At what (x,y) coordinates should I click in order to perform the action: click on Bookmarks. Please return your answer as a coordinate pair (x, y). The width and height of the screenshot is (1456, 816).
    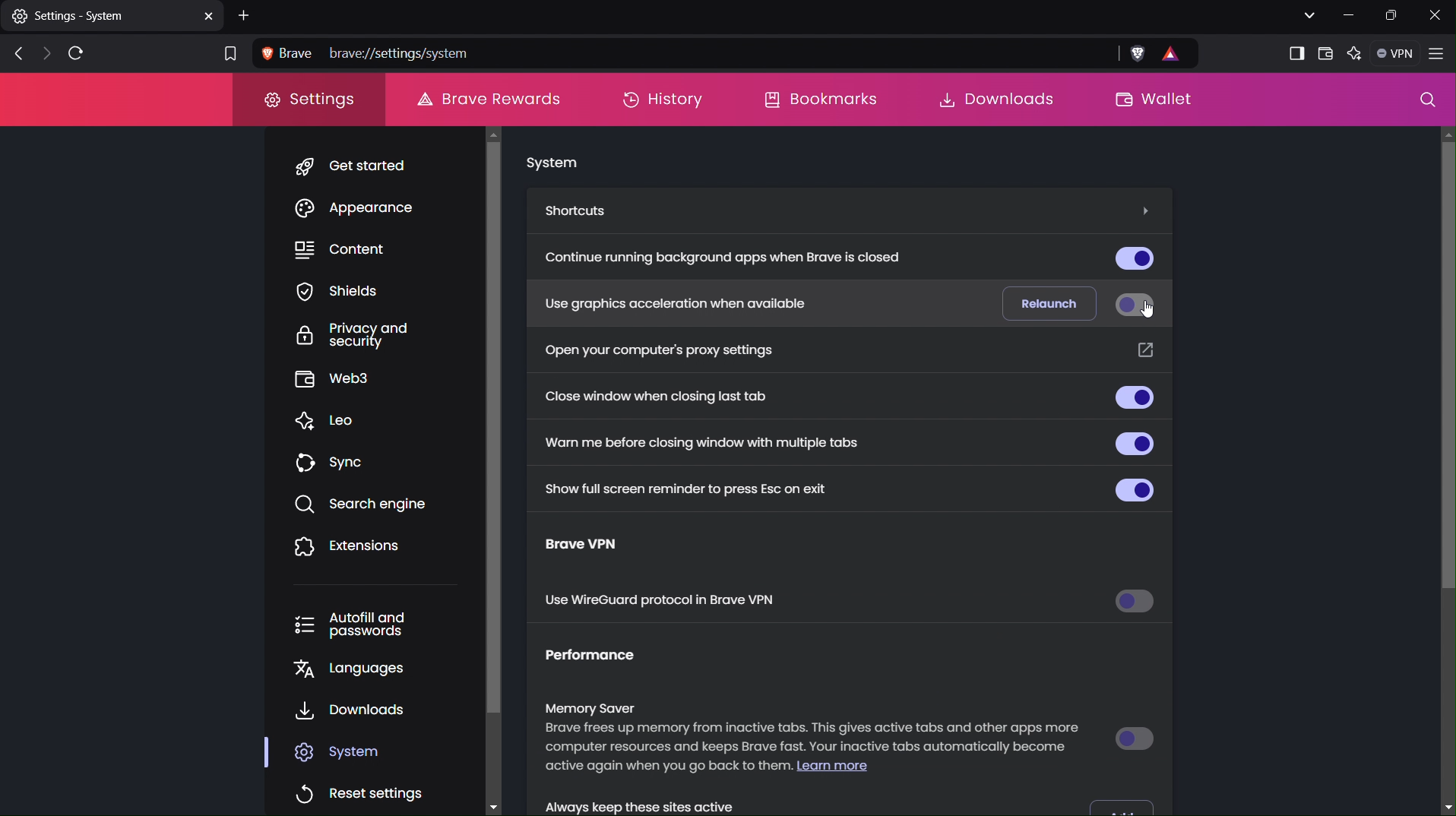
    Looking at the image, I should click on (819, 100).